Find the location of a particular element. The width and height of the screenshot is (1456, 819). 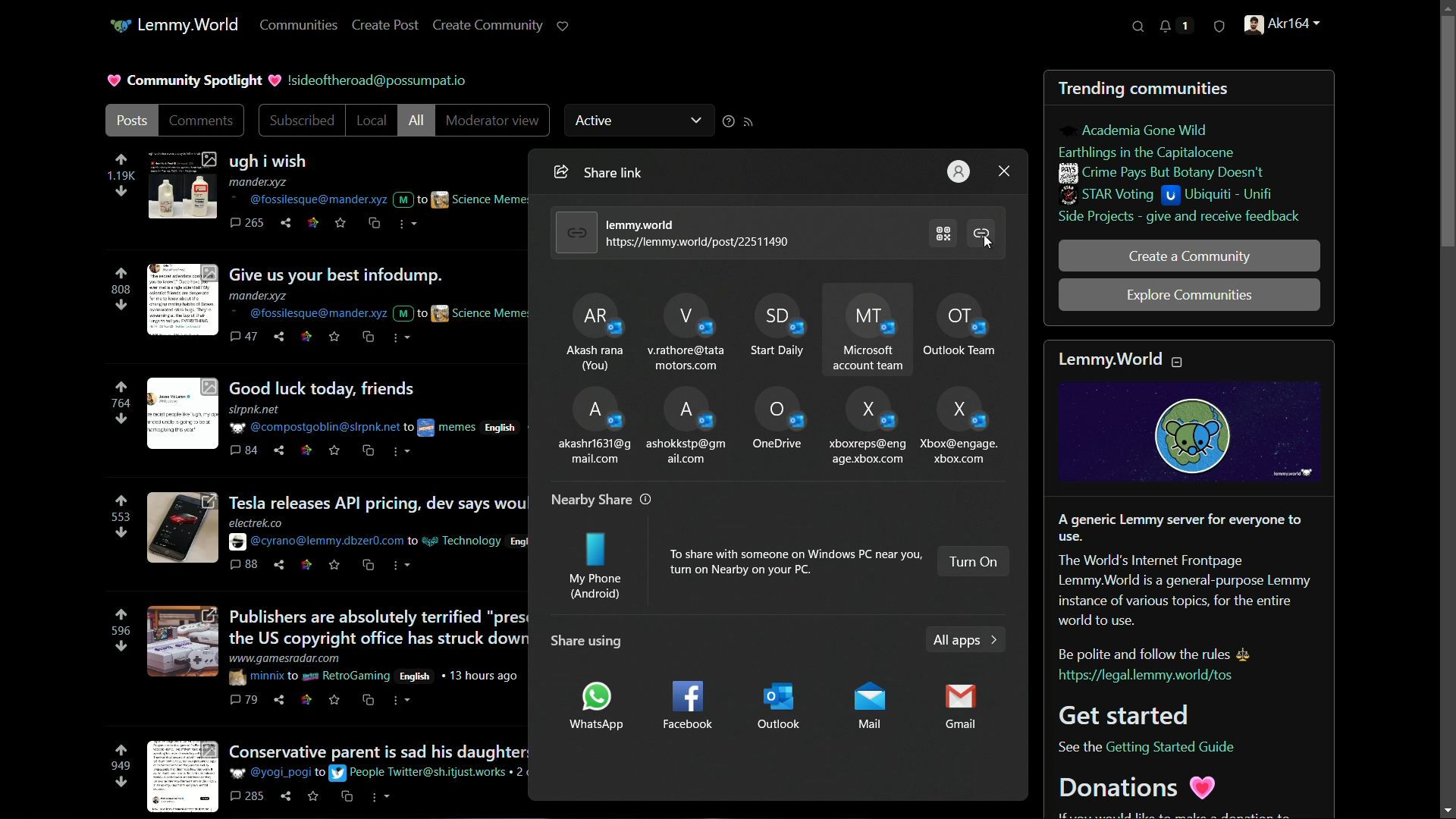

save is located at coordinates (342, 224).